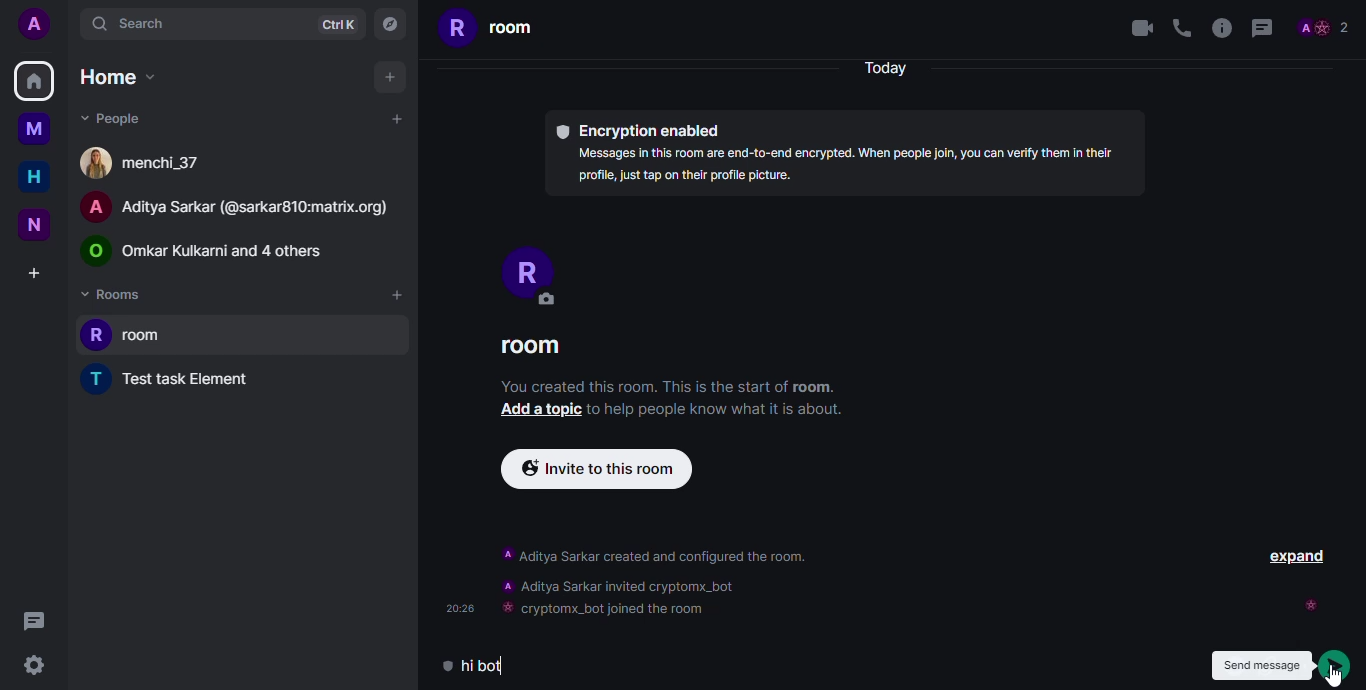 The image size is (1366, 690). Describe the element at coordinates (129, 331) in the screenshot. I see `room` at that location.